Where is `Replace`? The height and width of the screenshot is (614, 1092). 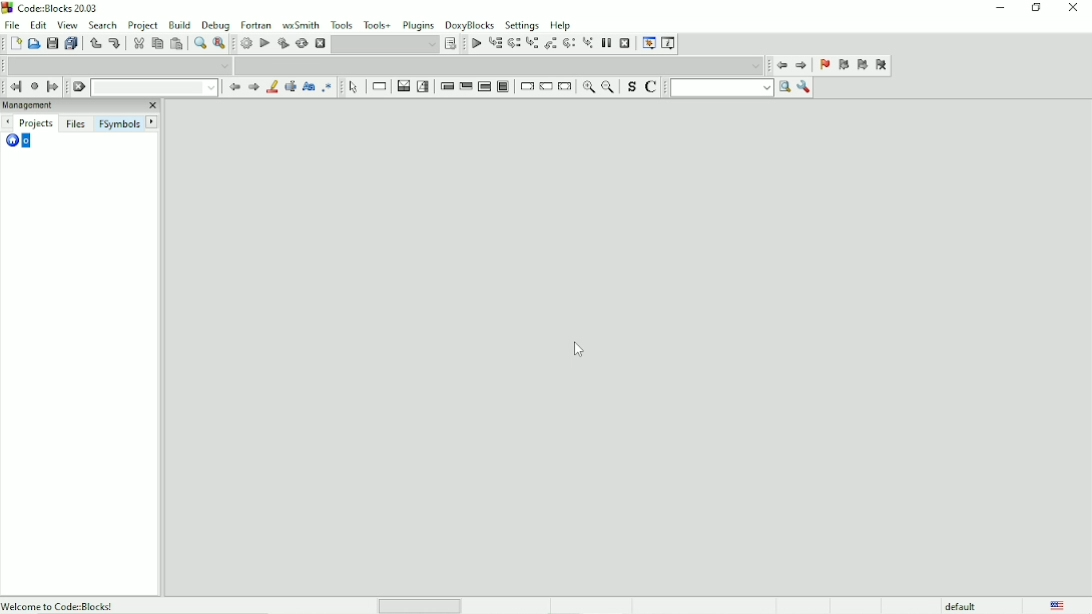
Replace is located at coordinates (220, 43).